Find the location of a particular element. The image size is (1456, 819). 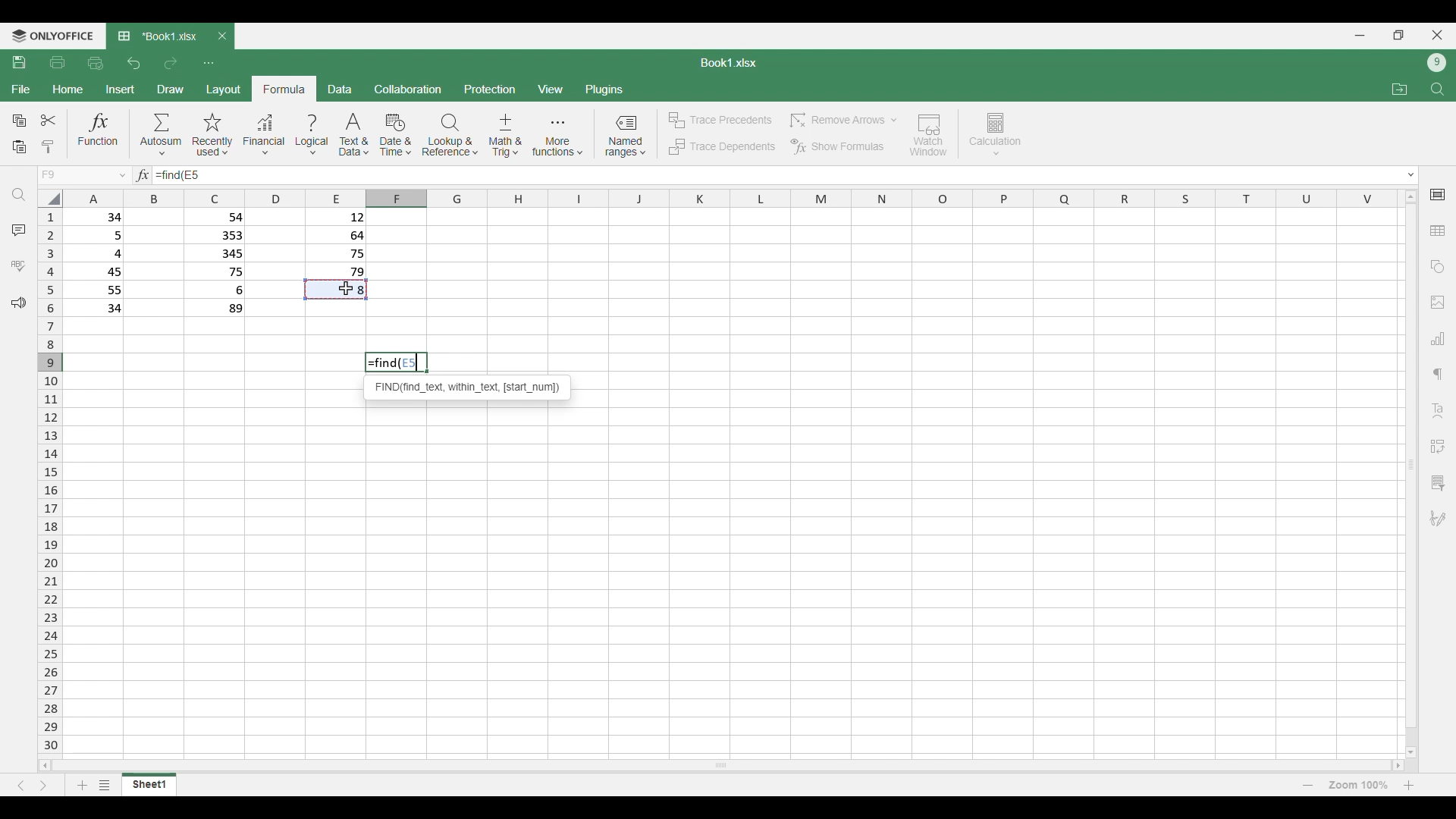

Spell check is located at coordinates (18, 265).